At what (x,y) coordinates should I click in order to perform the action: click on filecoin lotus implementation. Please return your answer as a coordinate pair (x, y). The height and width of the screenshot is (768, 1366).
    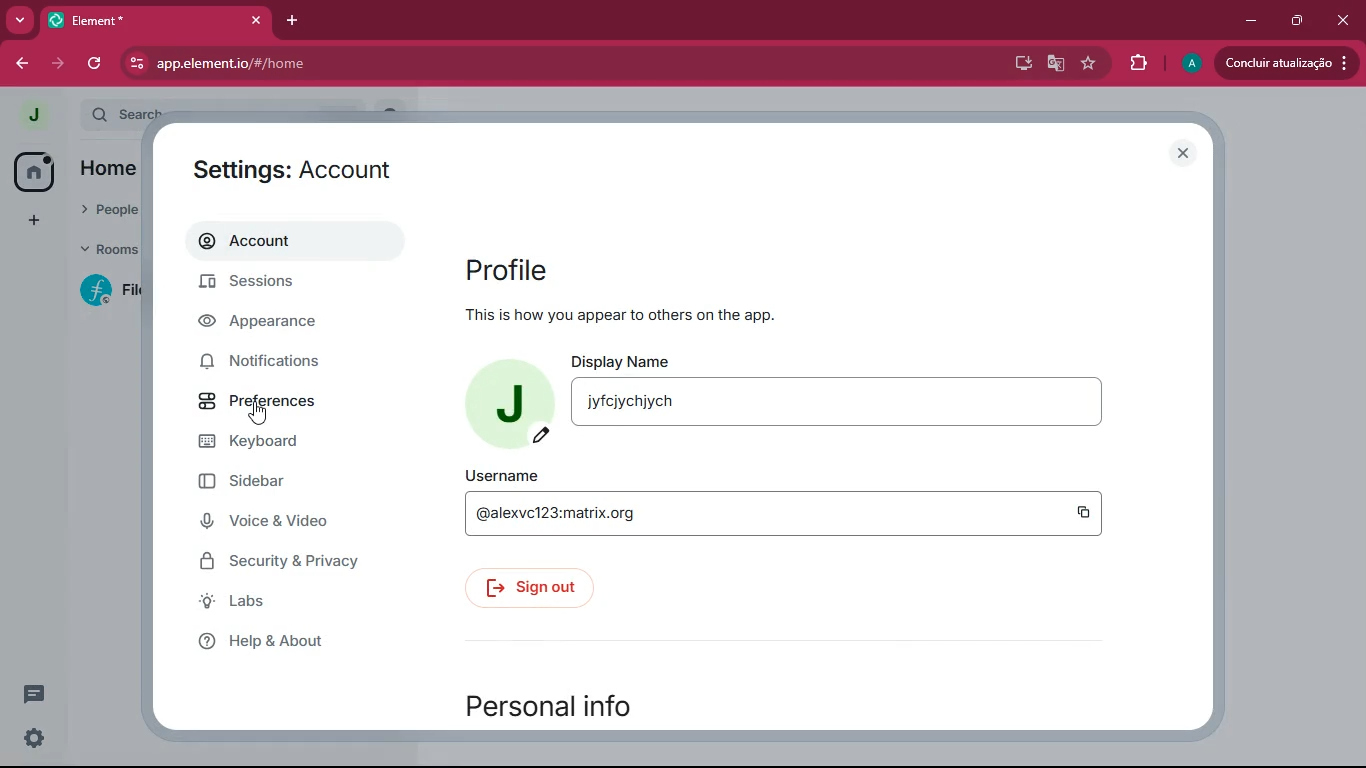
    Looking at the image, I should click on (109, 290).